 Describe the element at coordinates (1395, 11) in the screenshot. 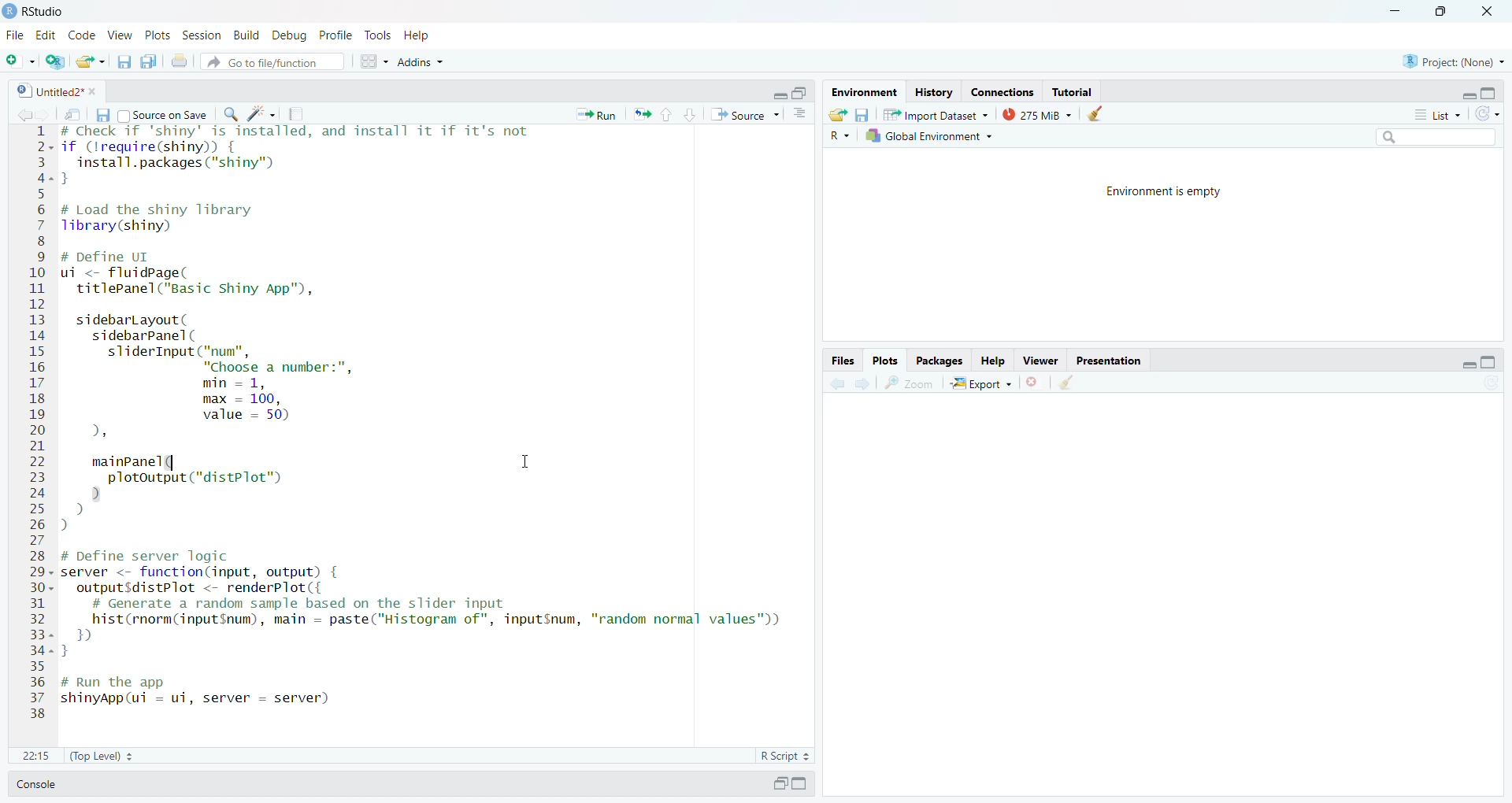

I see `minimize` at that location.